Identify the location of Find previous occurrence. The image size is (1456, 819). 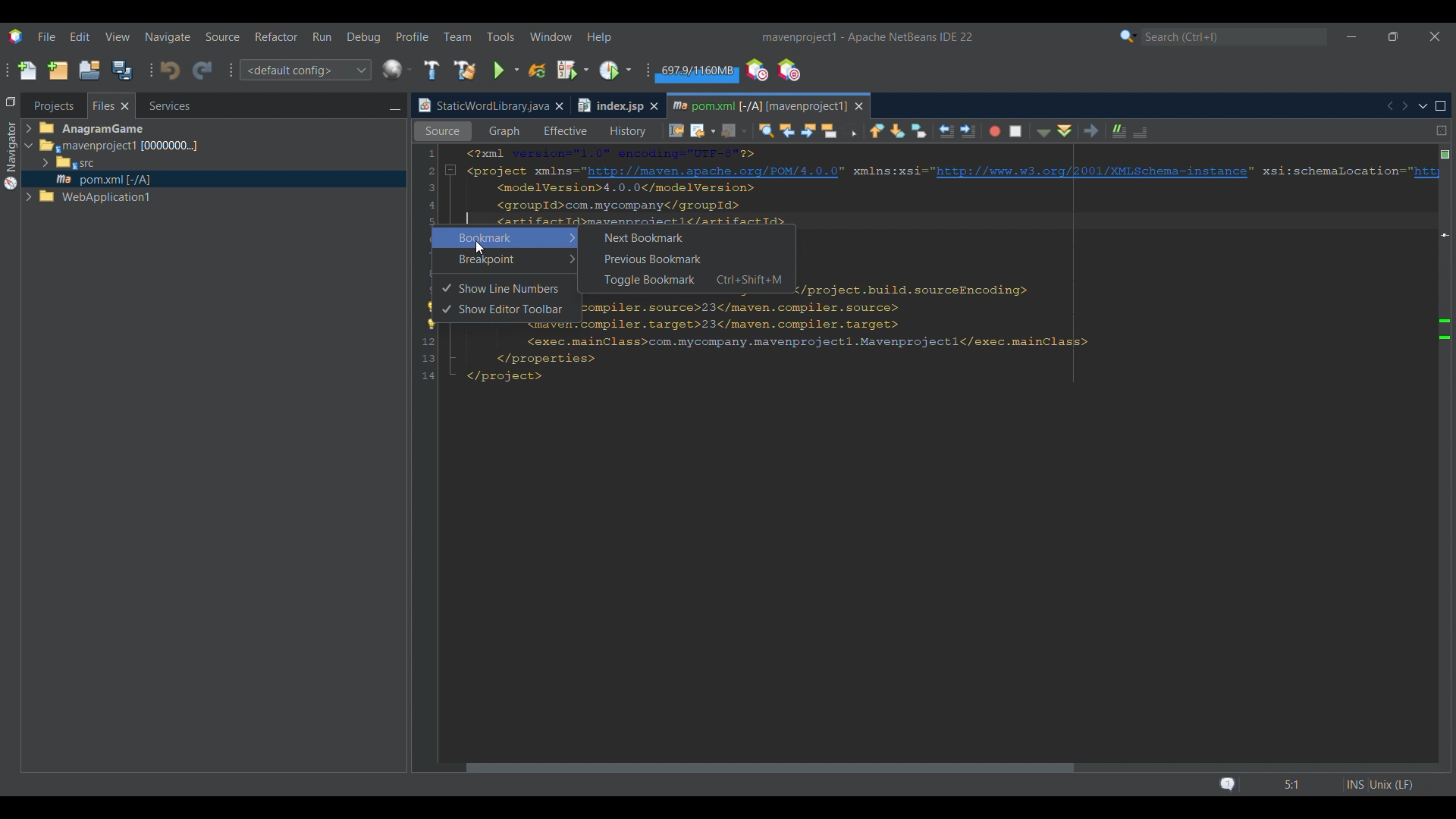
(788, 132).